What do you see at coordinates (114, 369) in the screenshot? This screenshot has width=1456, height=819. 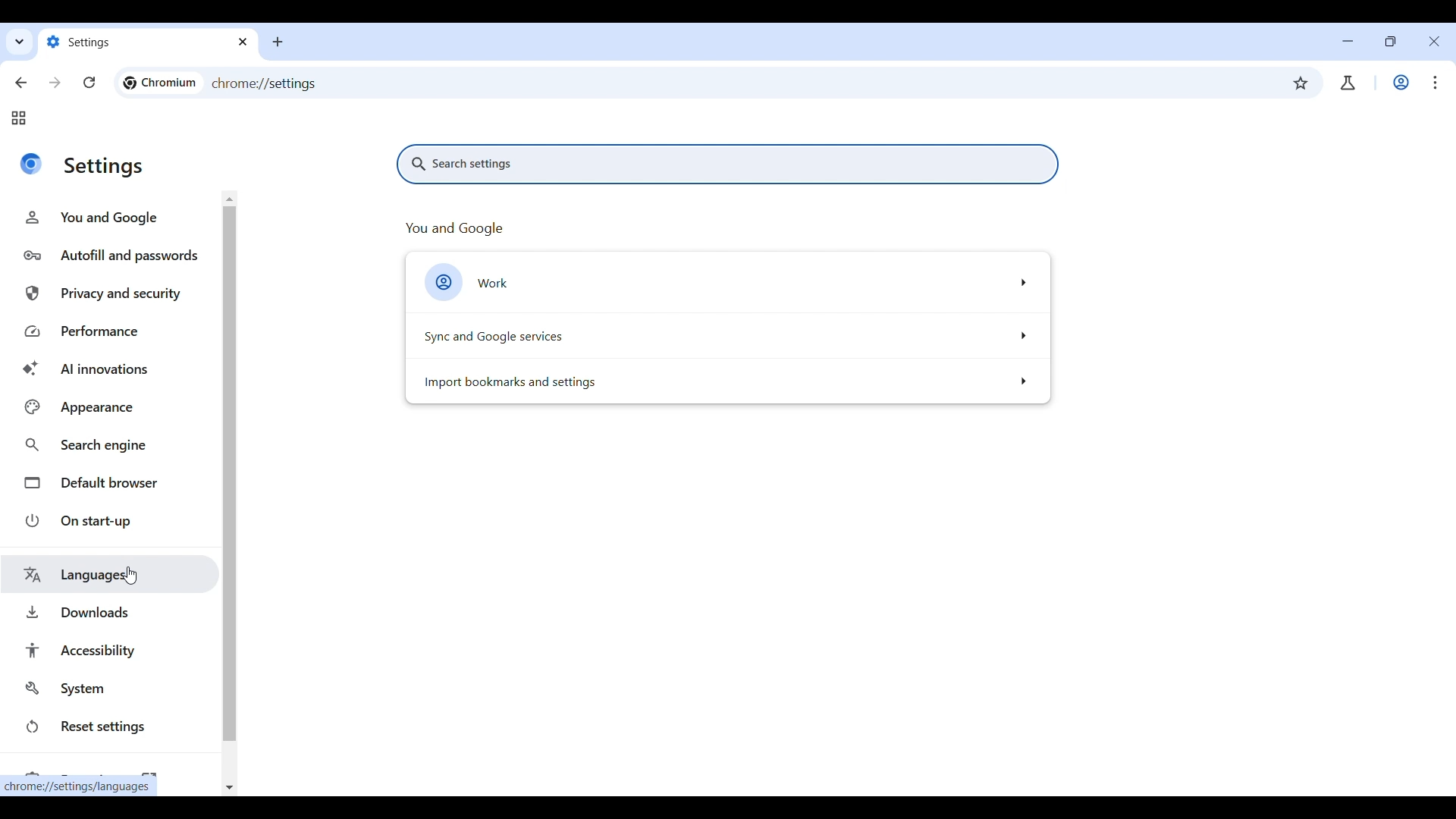 I see `AI innovations` at bounding box center [114, 369].